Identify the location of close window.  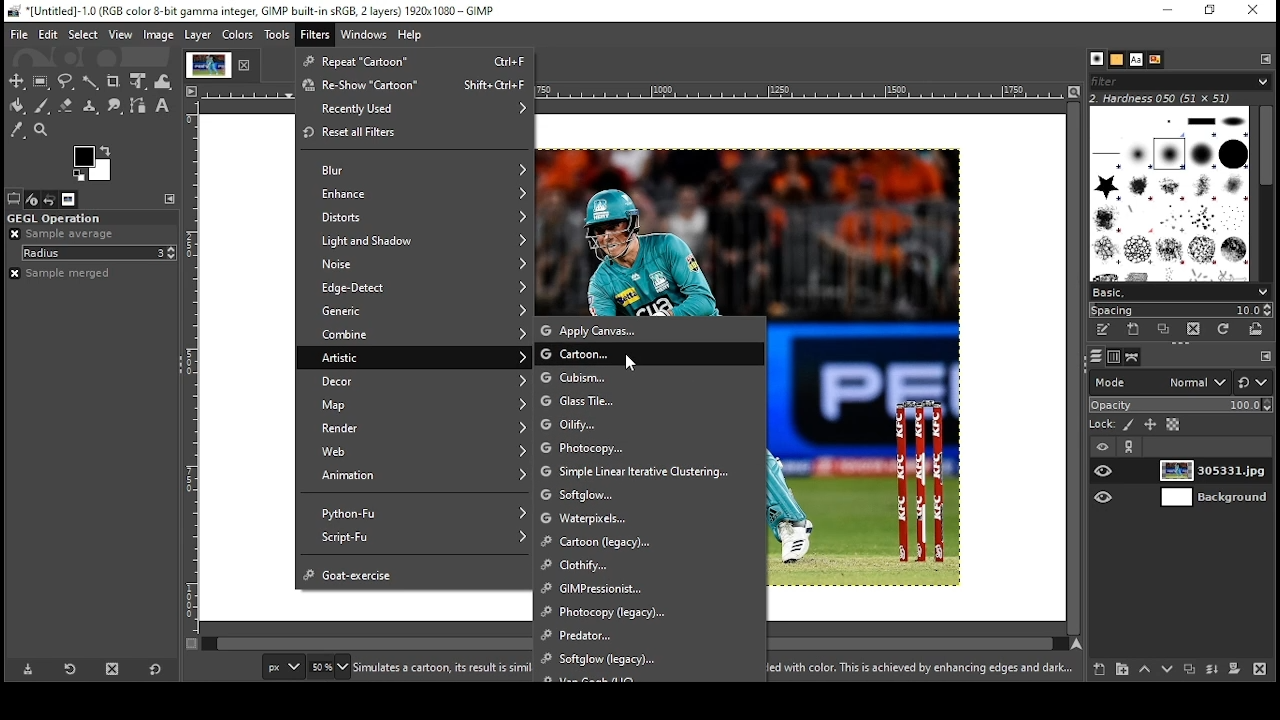
(1252, 10).